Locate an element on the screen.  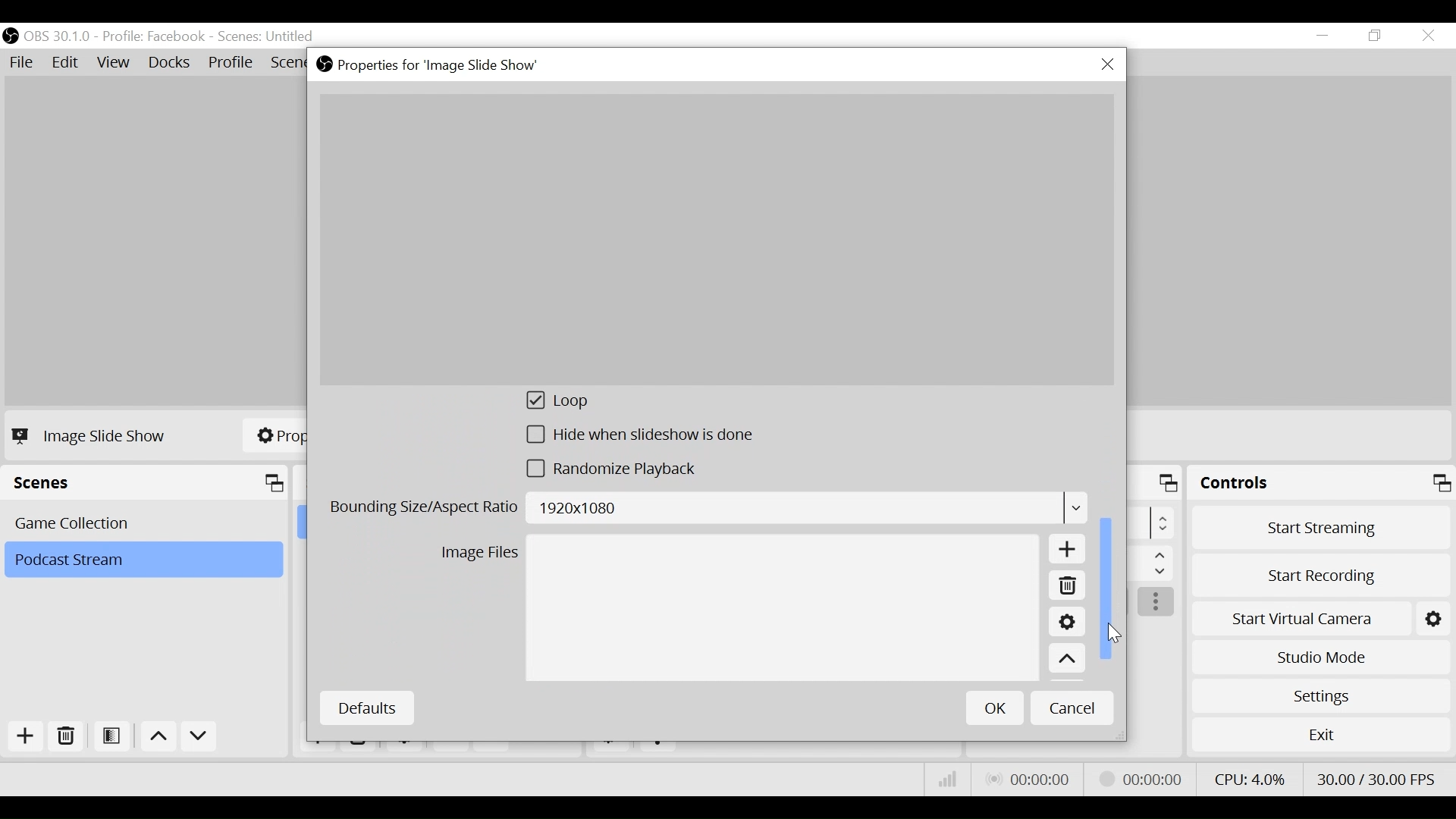
View is located at coordinates (116, 64).